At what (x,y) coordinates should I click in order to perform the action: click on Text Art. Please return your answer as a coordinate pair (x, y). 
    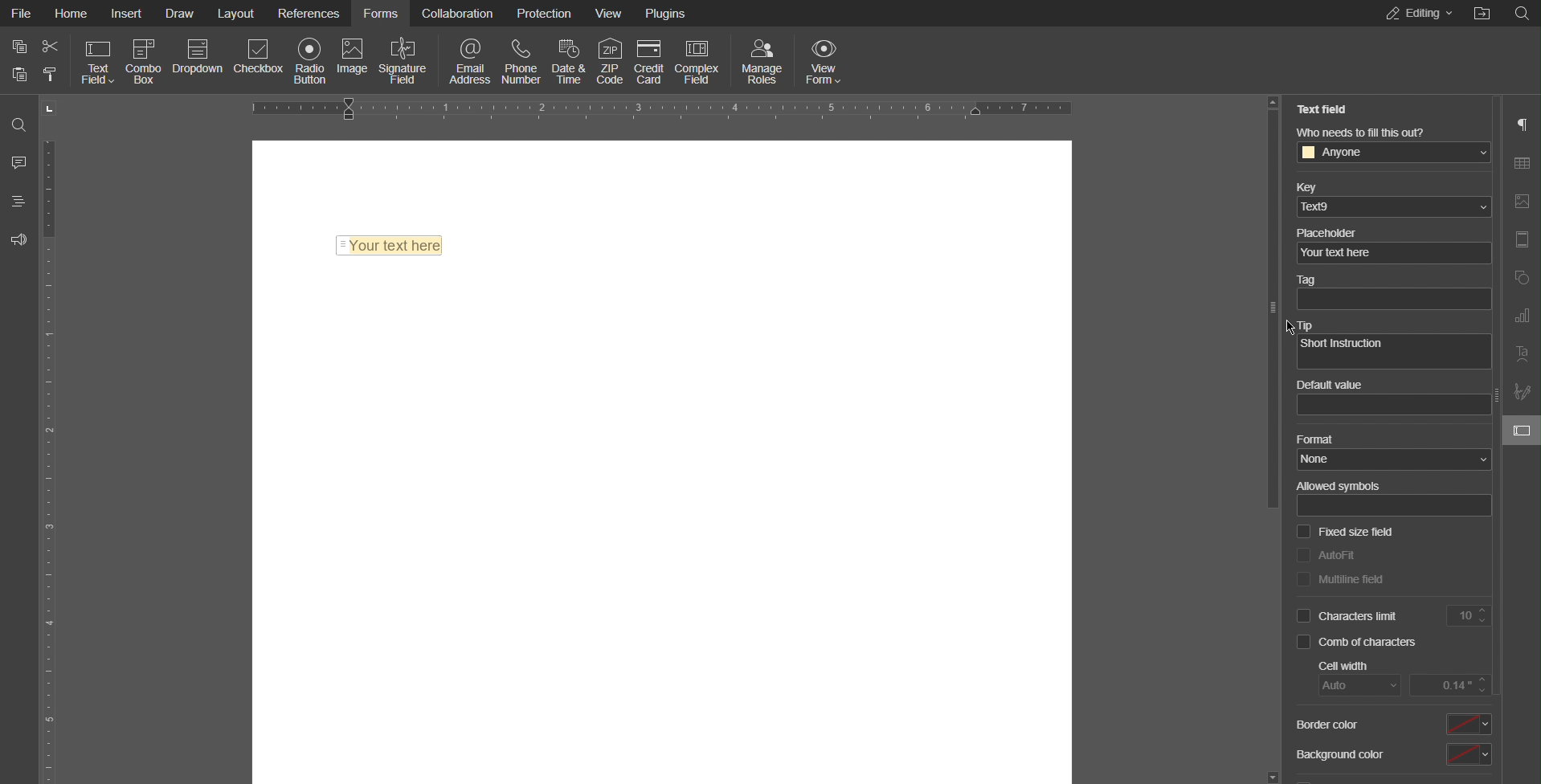
    Looking at the image, I should click on (1520, 354).